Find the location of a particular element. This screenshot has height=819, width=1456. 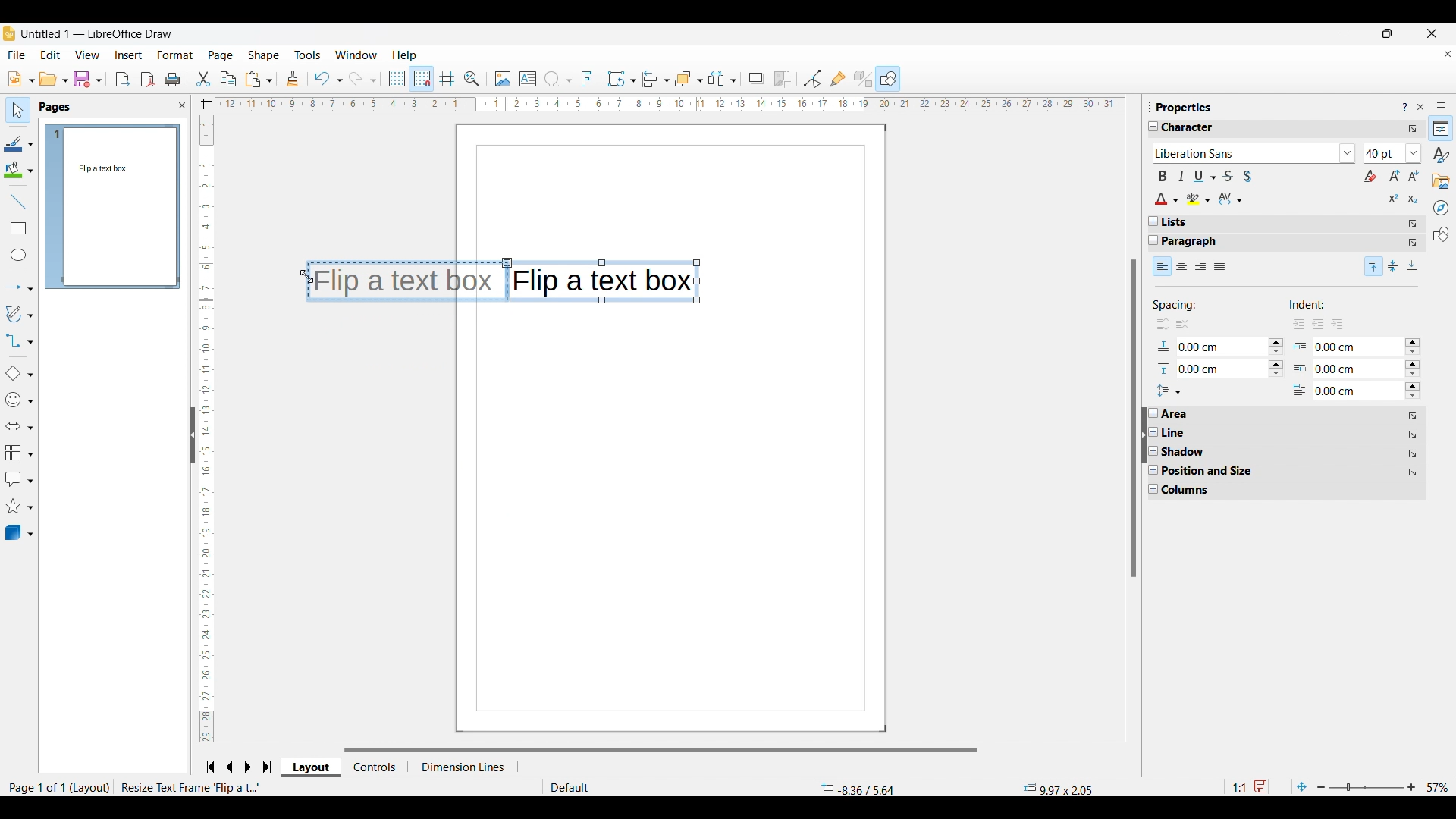

Underline options is located at coordinates (1205, 176).